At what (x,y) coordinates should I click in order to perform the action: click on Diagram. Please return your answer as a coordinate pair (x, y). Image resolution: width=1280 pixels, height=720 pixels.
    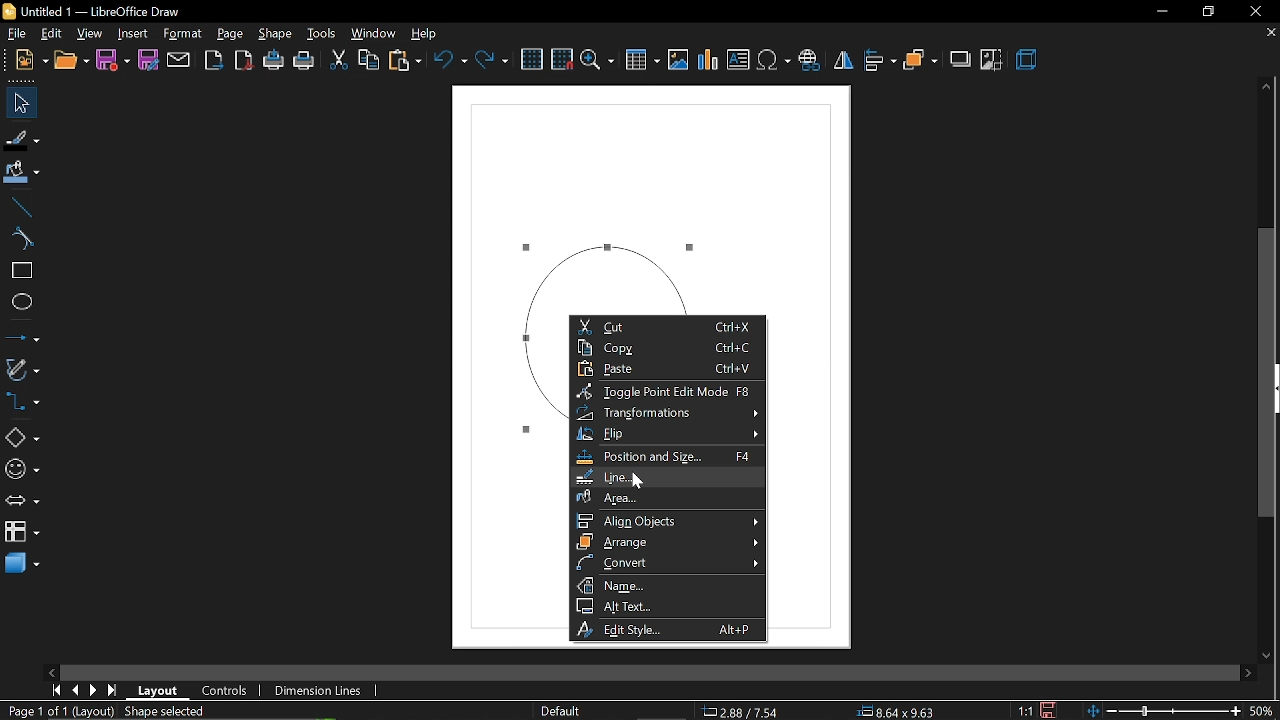
    Looking at the image, I should click on (617, 195).